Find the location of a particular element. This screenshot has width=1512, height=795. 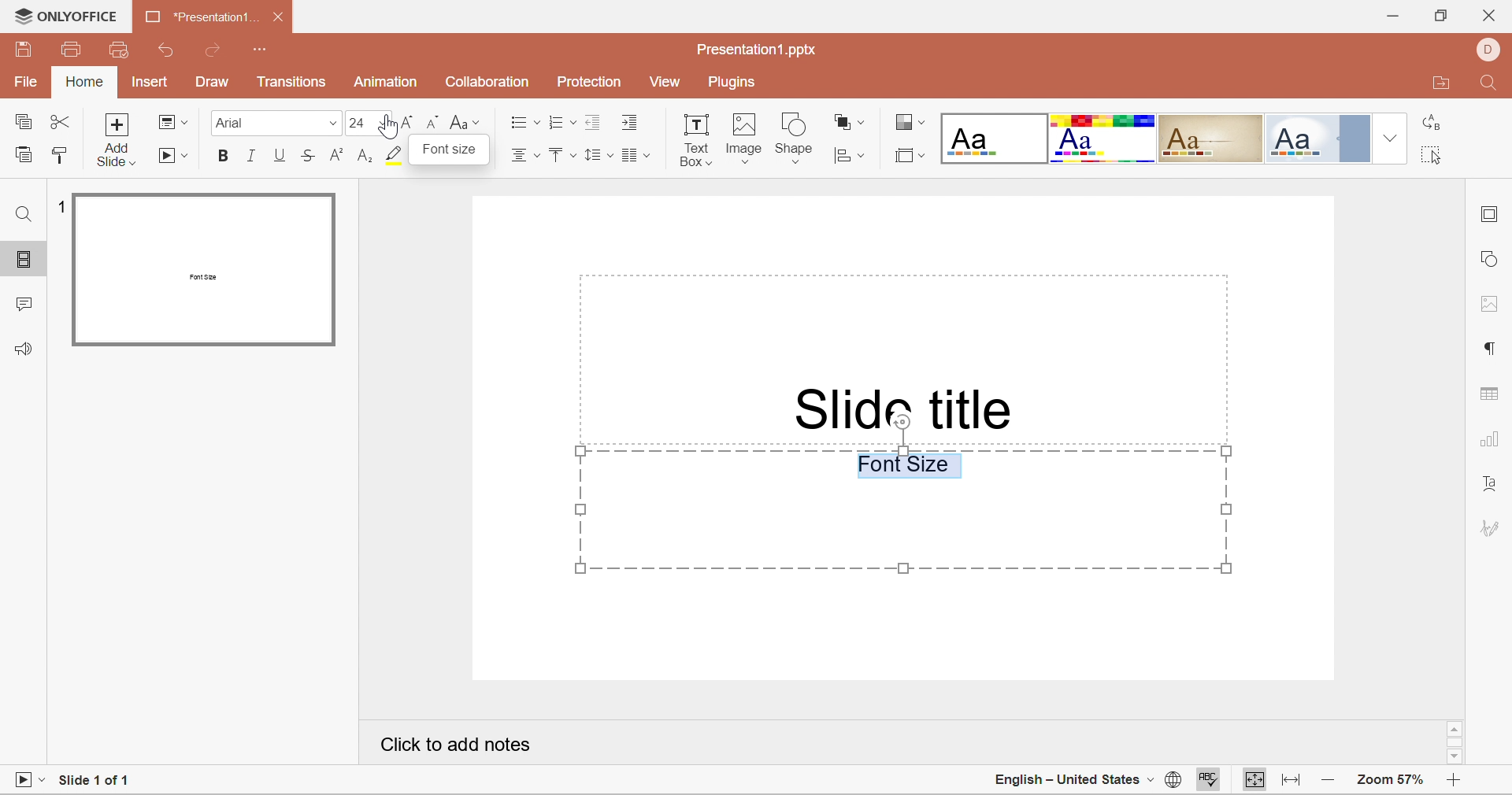

Official is located at coordinates (1320, 138).